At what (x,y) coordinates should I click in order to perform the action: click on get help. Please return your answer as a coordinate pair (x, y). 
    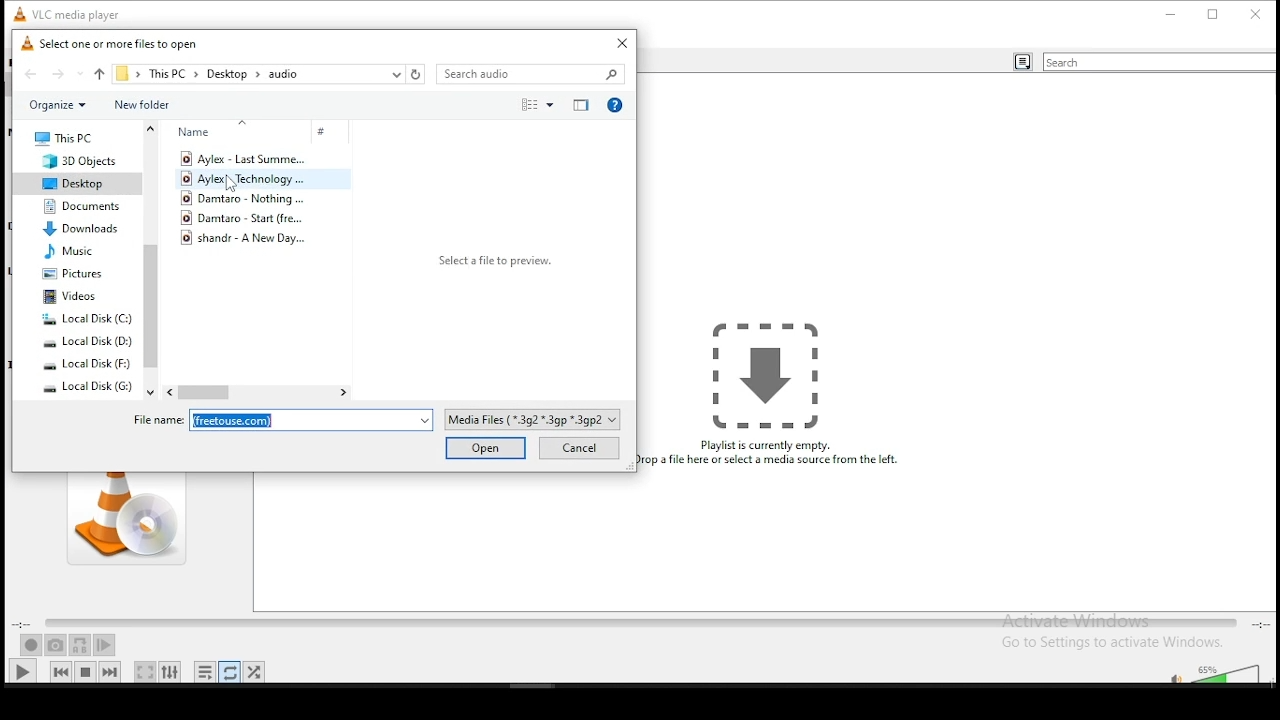
    Looking at the image, I should click on (616, 104).